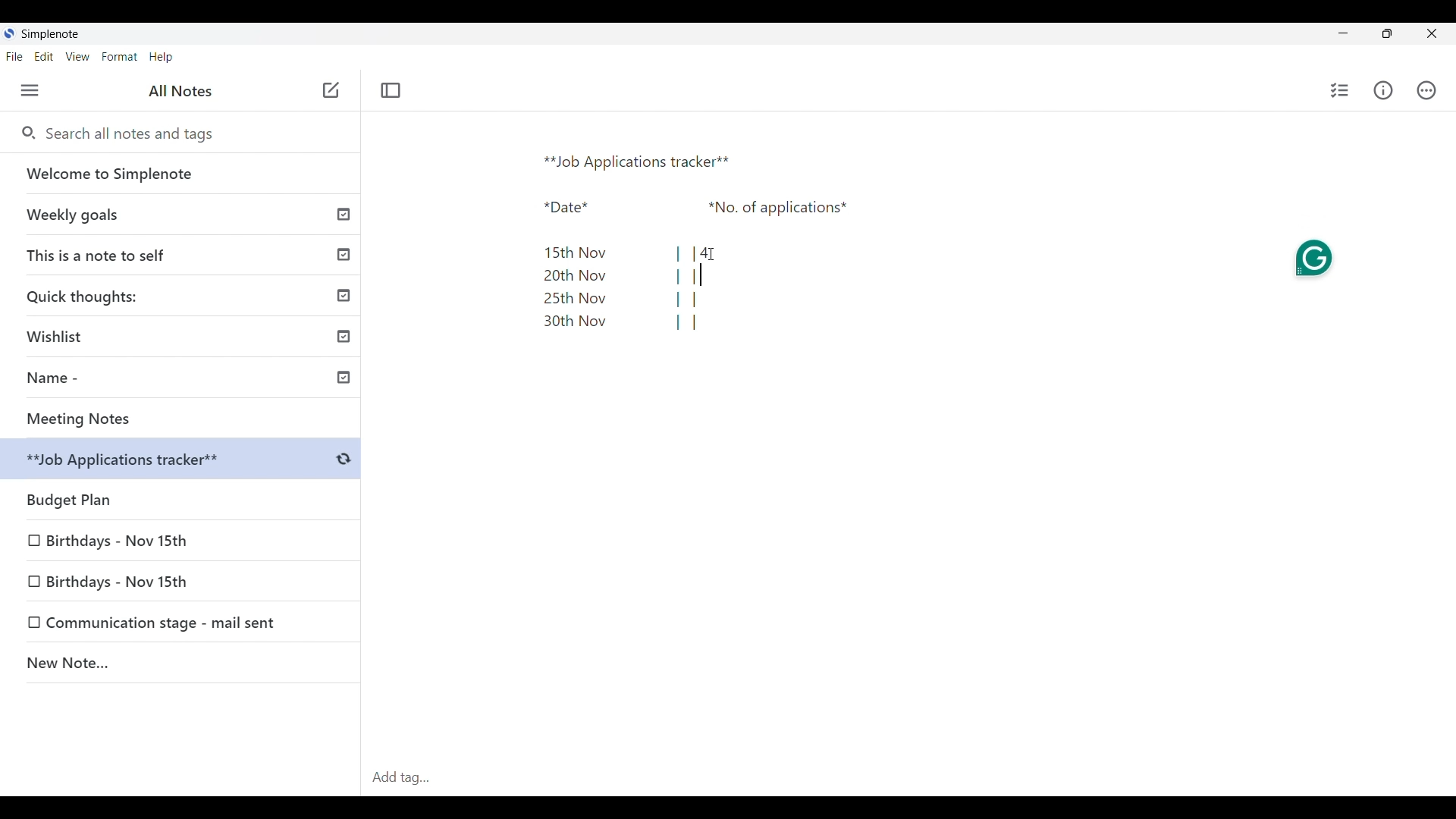 This screenshot has width=1456, height=819. What do you see at coordinates (50, 34) in the screenshot?
I see `Software name` at bounding box center [50, 34].